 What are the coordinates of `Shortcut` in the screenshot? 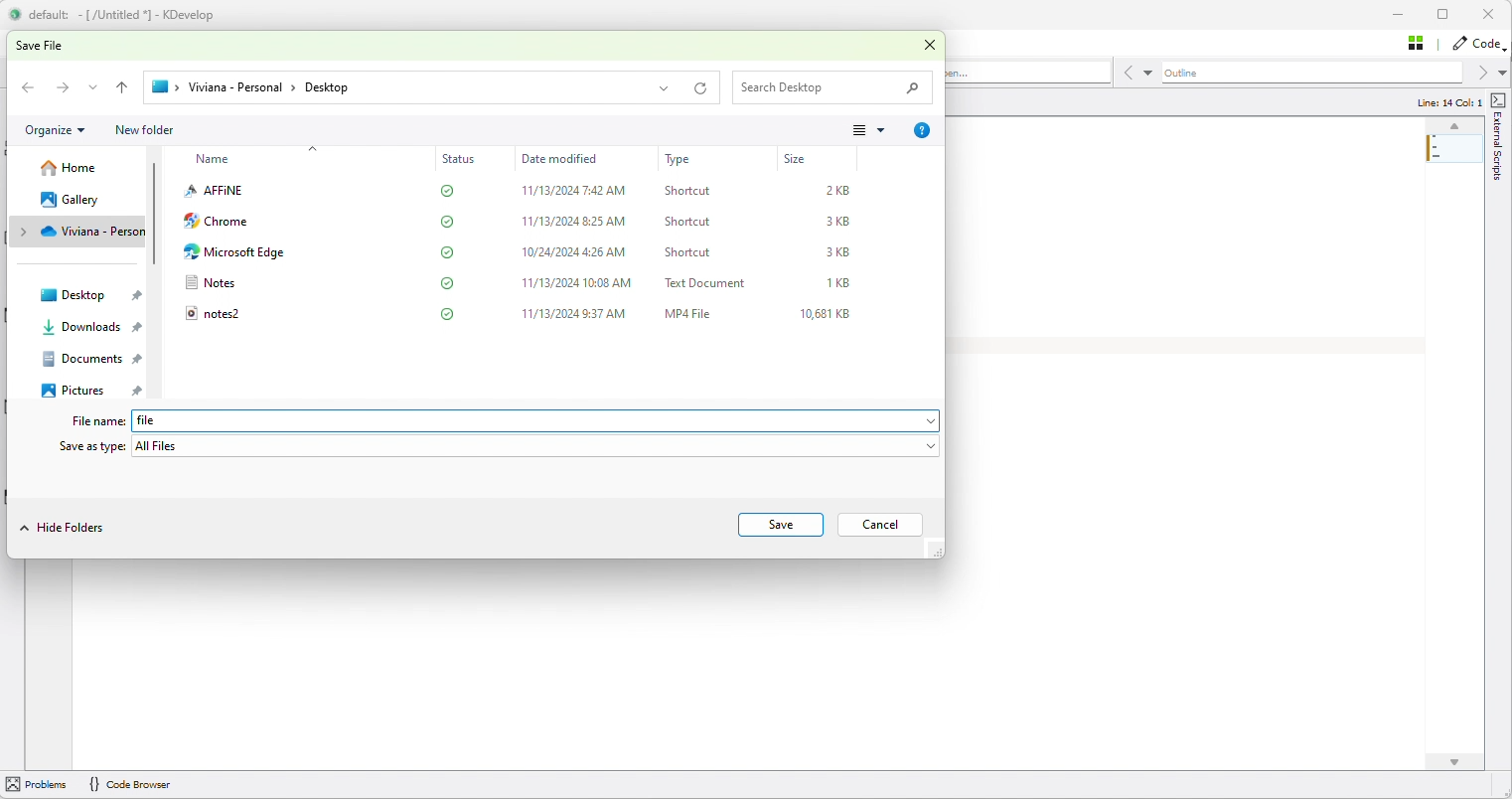 It's located at (689, 221).